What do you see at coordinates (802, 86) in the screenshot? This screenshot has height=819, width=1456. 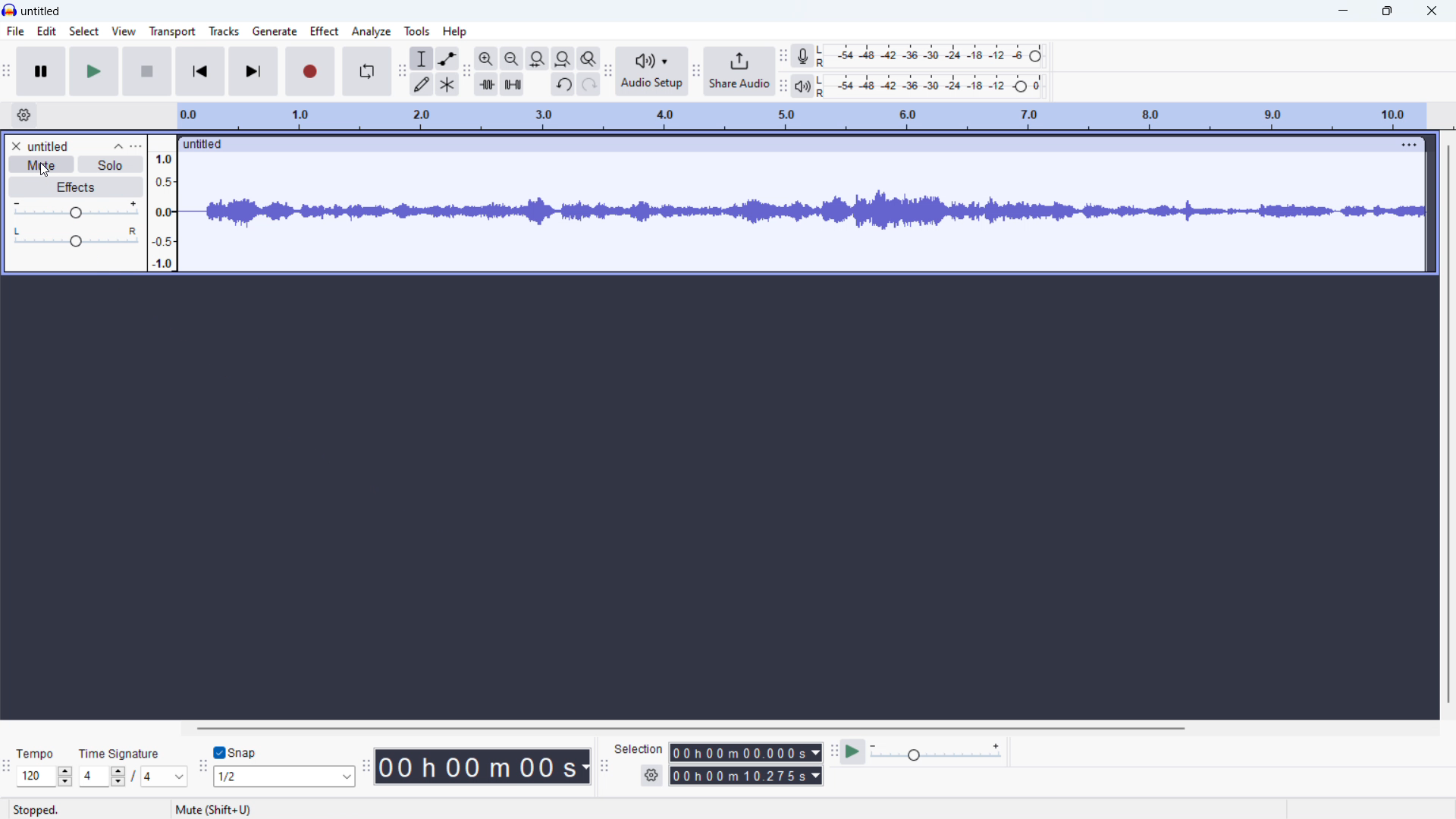 I see `playback meter` at bounding box center [802, 86].